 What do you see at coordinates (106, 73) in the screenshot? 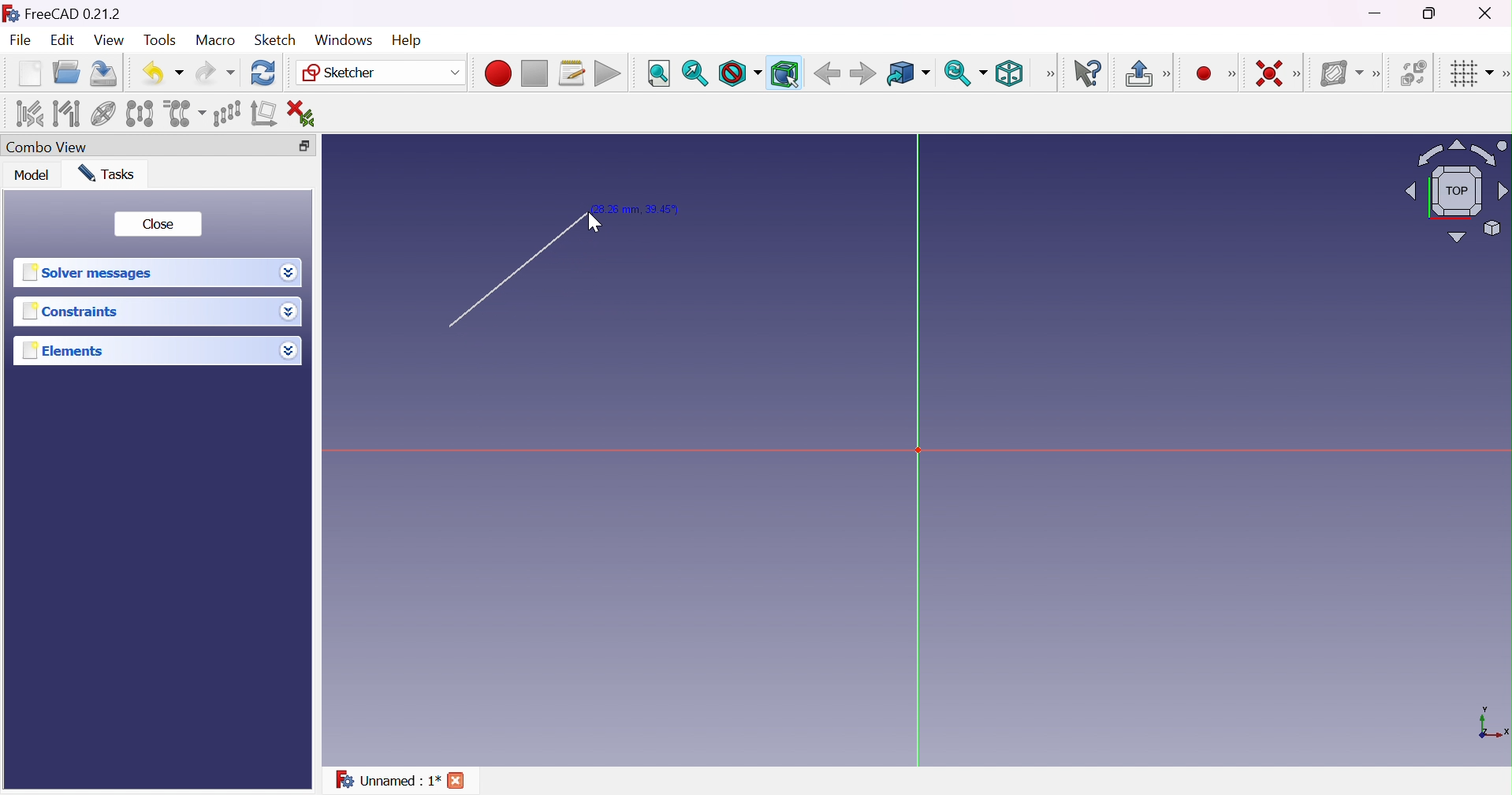
I see `Save` at bounding box center [106, 73].